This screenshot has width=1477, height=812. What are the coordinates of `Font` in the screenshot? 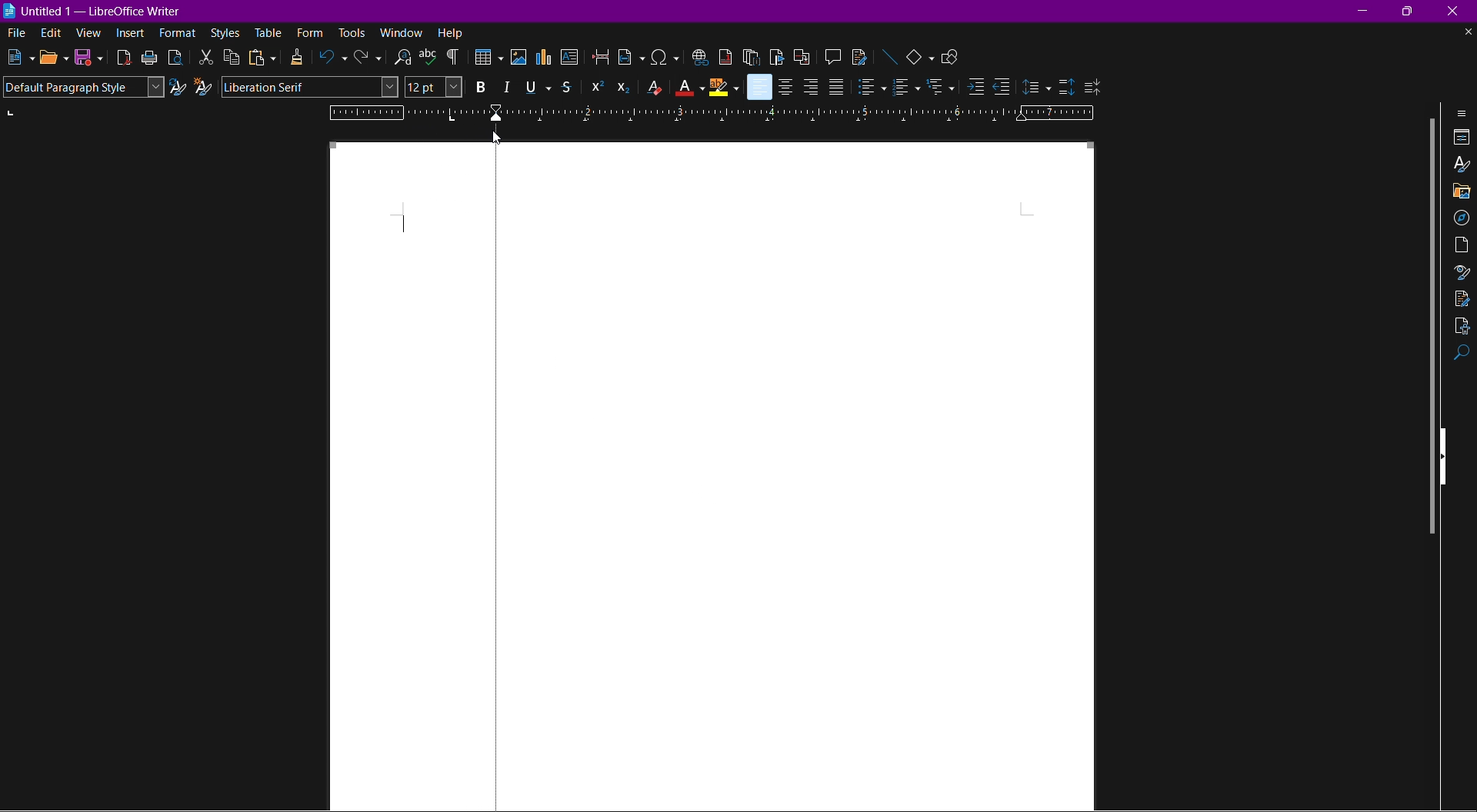 It's located at (311, 88).